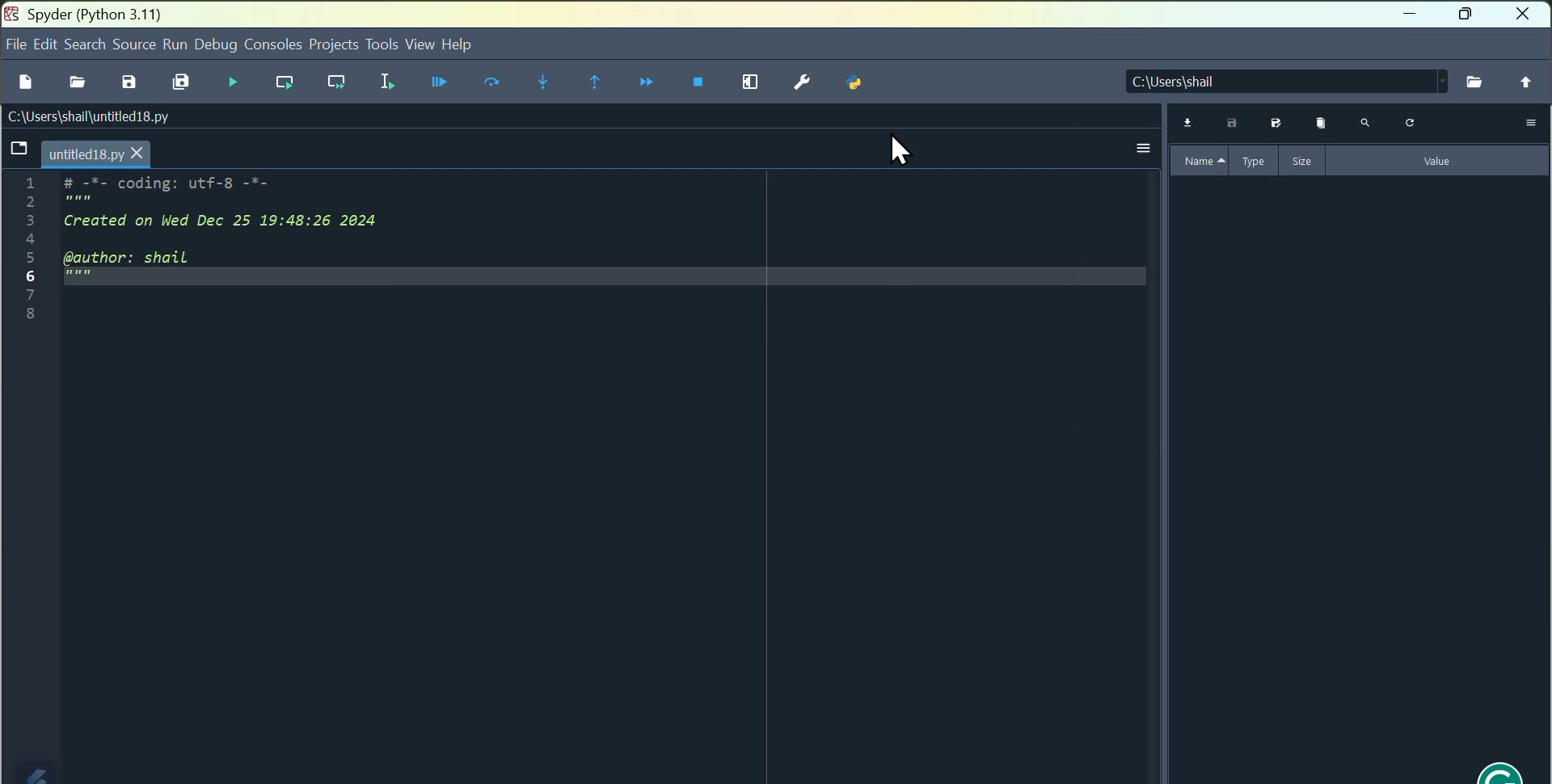 The width and height of the screenshot is (1552, 784). What do you see at coordinates (218, 44) in the screenshot?
I see `Debug` at bounding box center [218, 44].